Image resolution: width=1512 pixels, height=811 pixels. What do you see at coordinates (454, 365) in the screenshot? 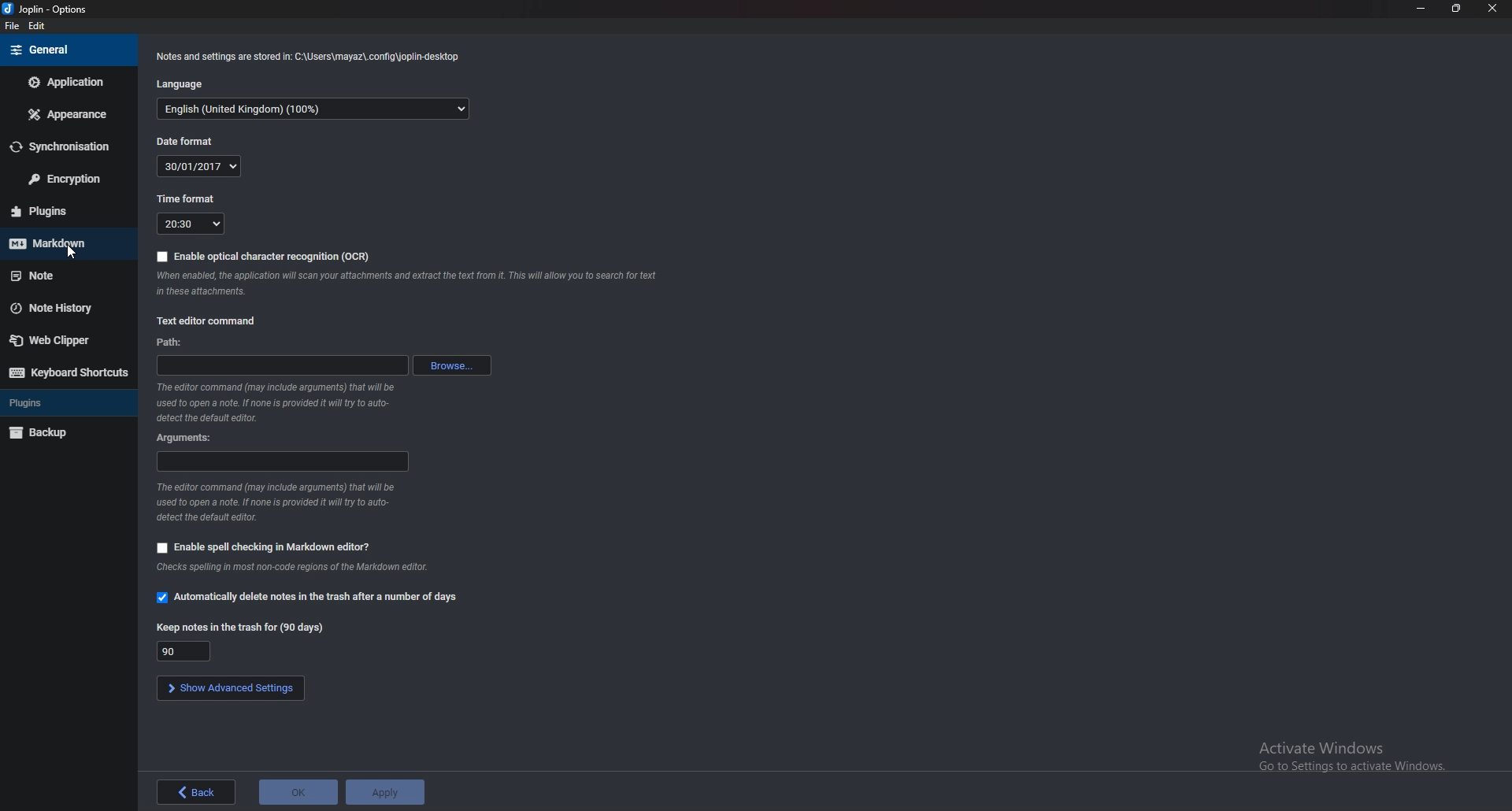
I see `browse` at bounding box center [454, 365].